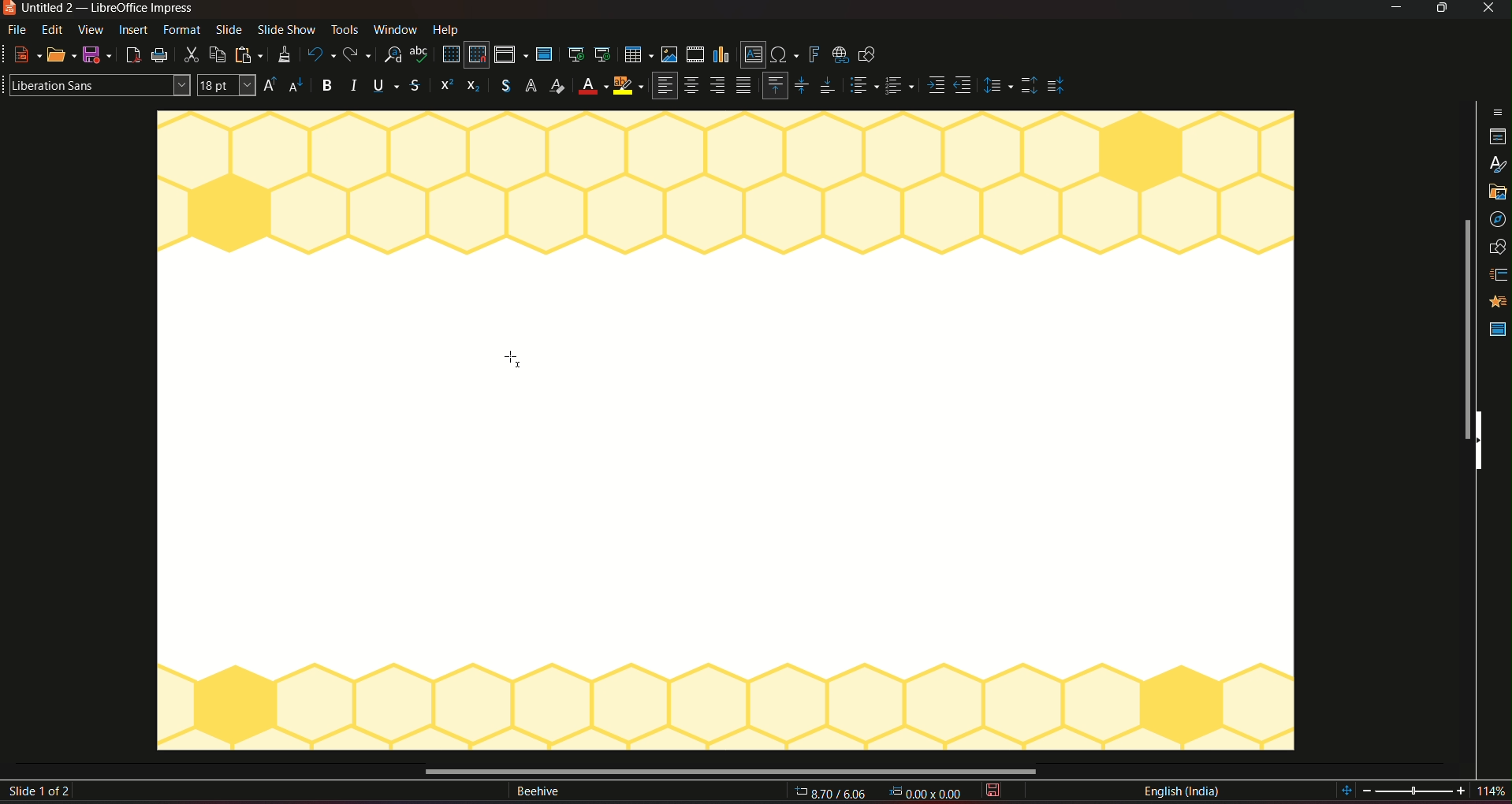  Describe the element at coordinates (602, 55) in the screenshot. I see `start from current slide` at that location.